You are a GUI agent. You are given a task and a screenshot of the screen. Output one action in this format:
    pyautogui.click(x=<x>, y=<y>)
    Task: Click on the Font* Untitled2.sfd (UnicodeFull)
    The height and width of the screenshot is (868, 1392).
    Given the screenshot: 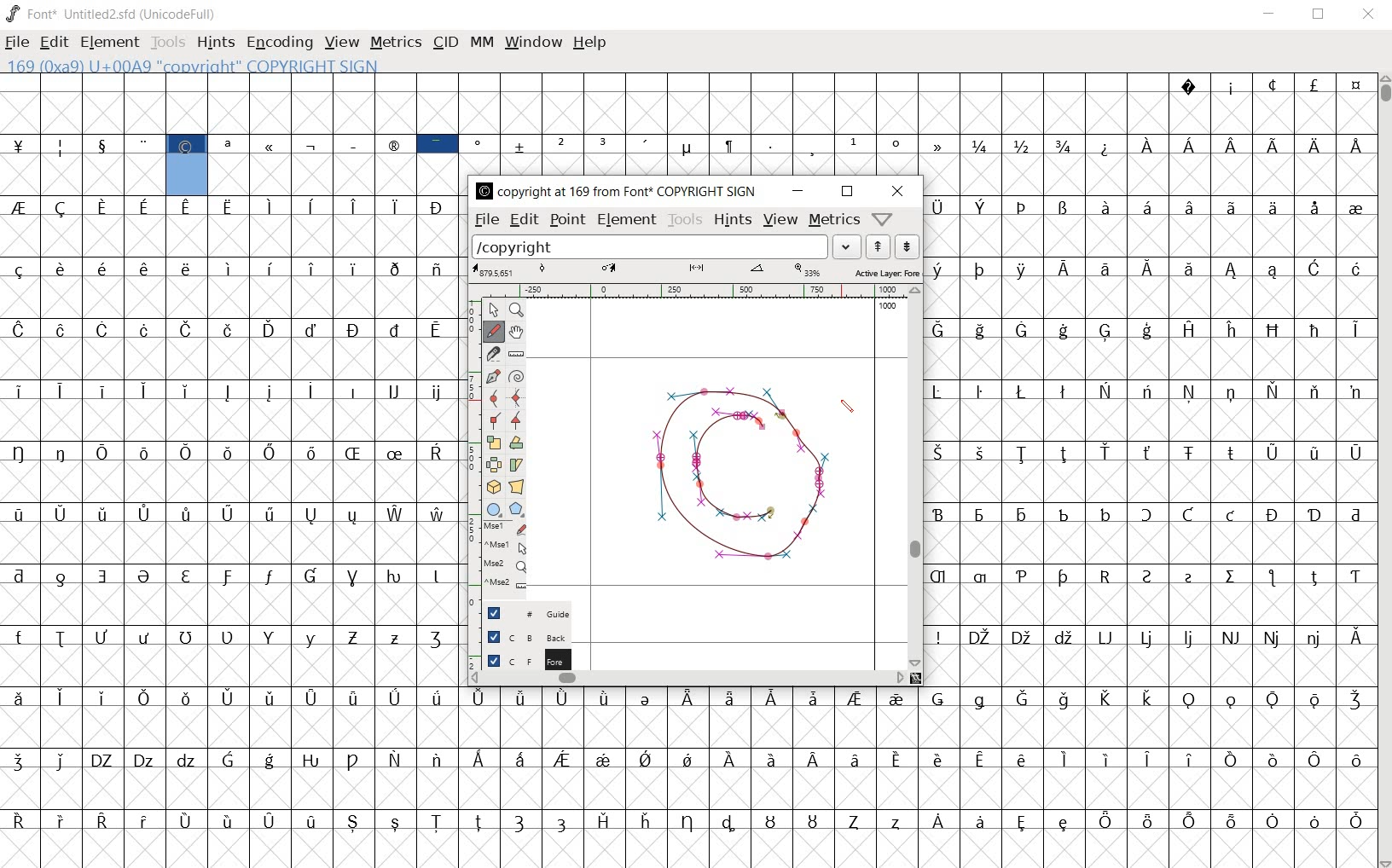 What is the action you would take?
    pyautogui.click(x=113, y=14)
    